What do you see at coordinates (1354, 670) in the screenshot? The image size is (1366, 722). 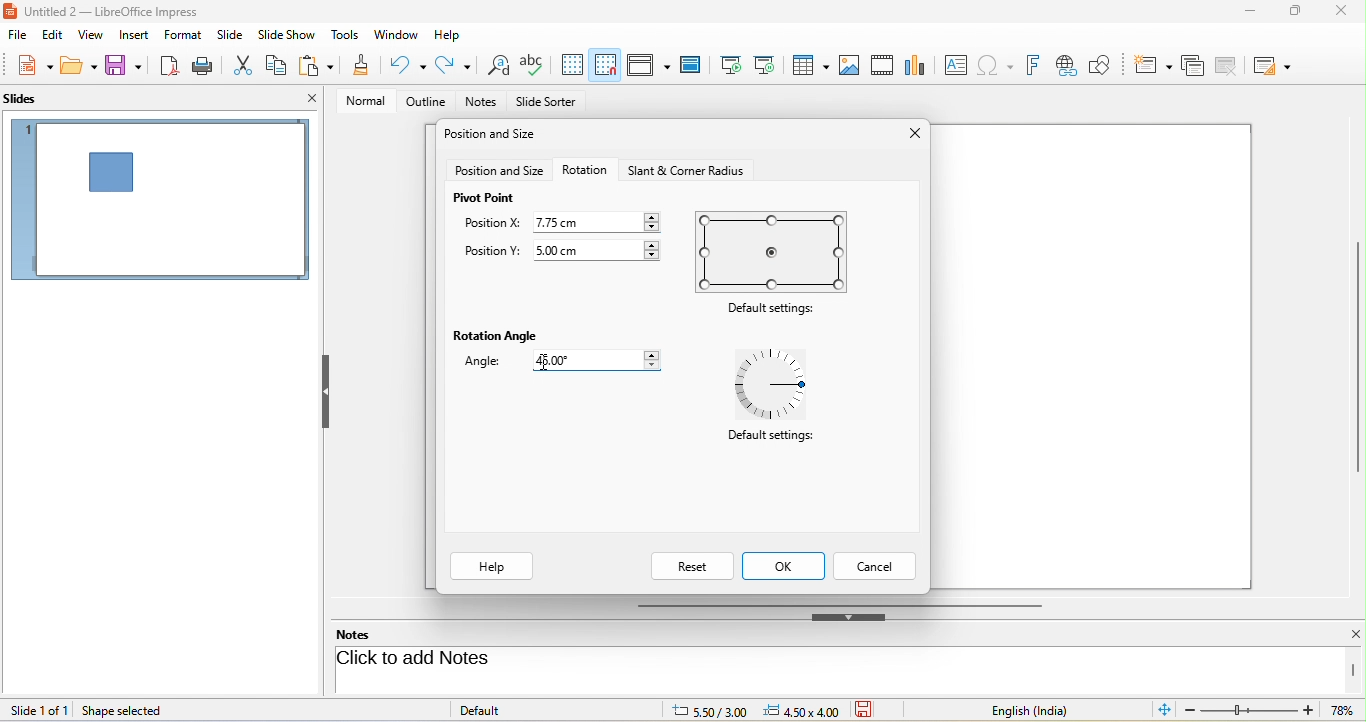 I see `vertical scroll bar` at bounding box center [1354, 670].